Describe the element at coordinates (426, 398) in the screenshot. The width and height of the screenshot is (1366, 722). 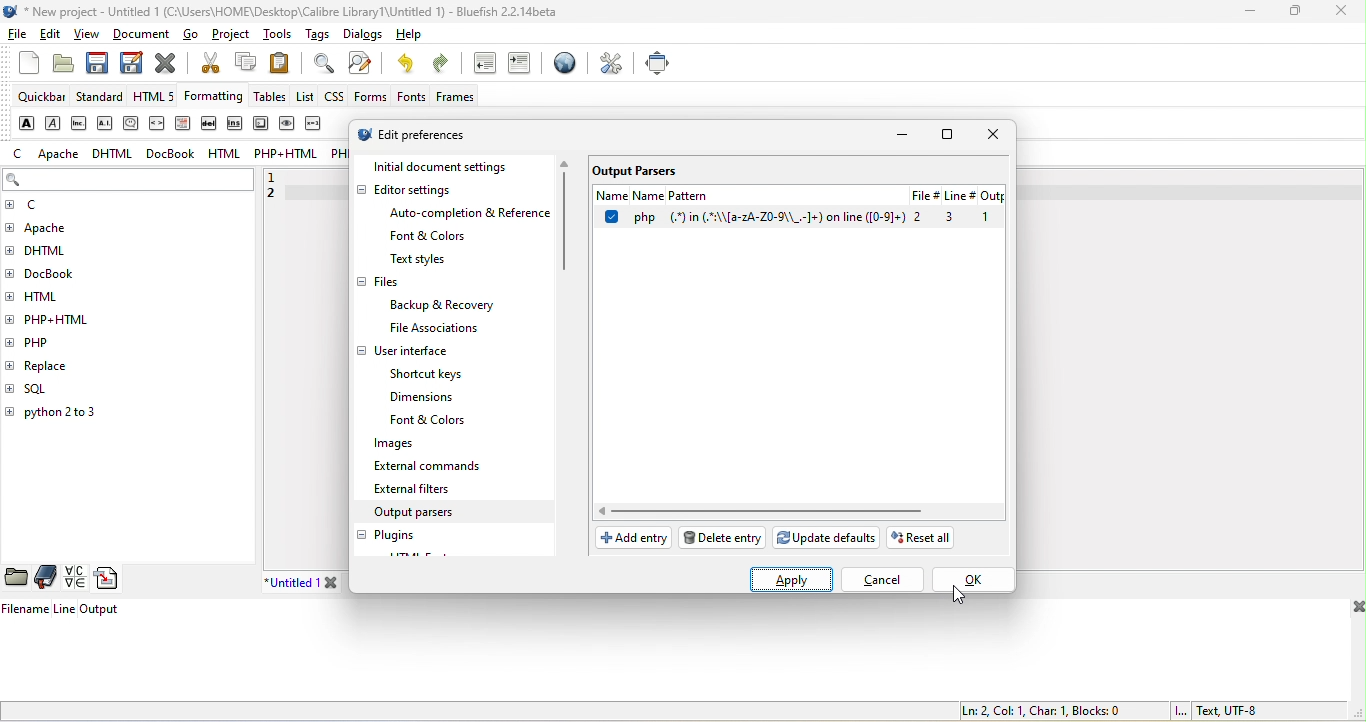
I see `dimensions` at that location.